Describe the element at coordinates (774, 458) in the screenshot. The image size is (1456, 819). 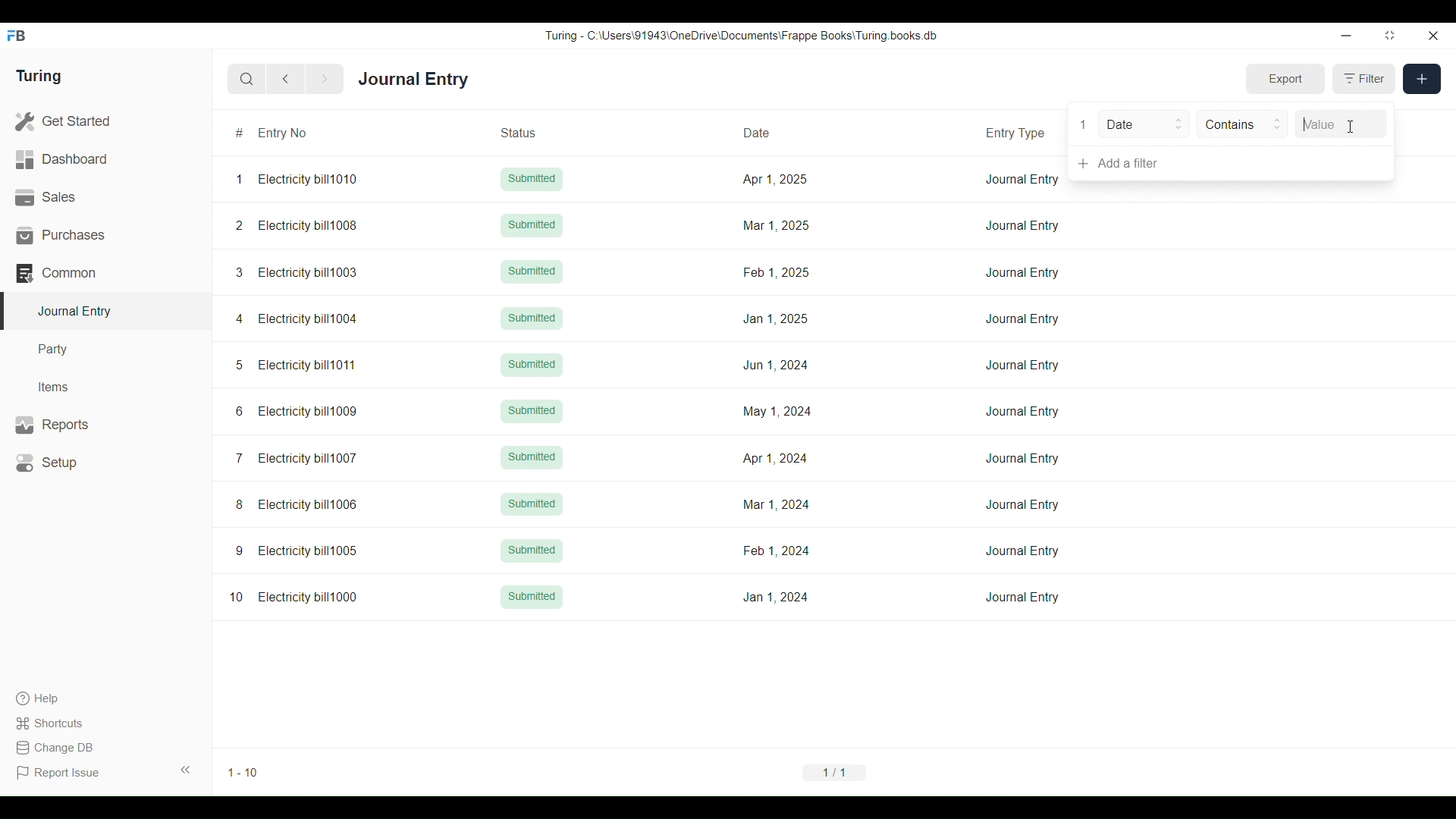
I see `Apr 1, 2024` at that location.